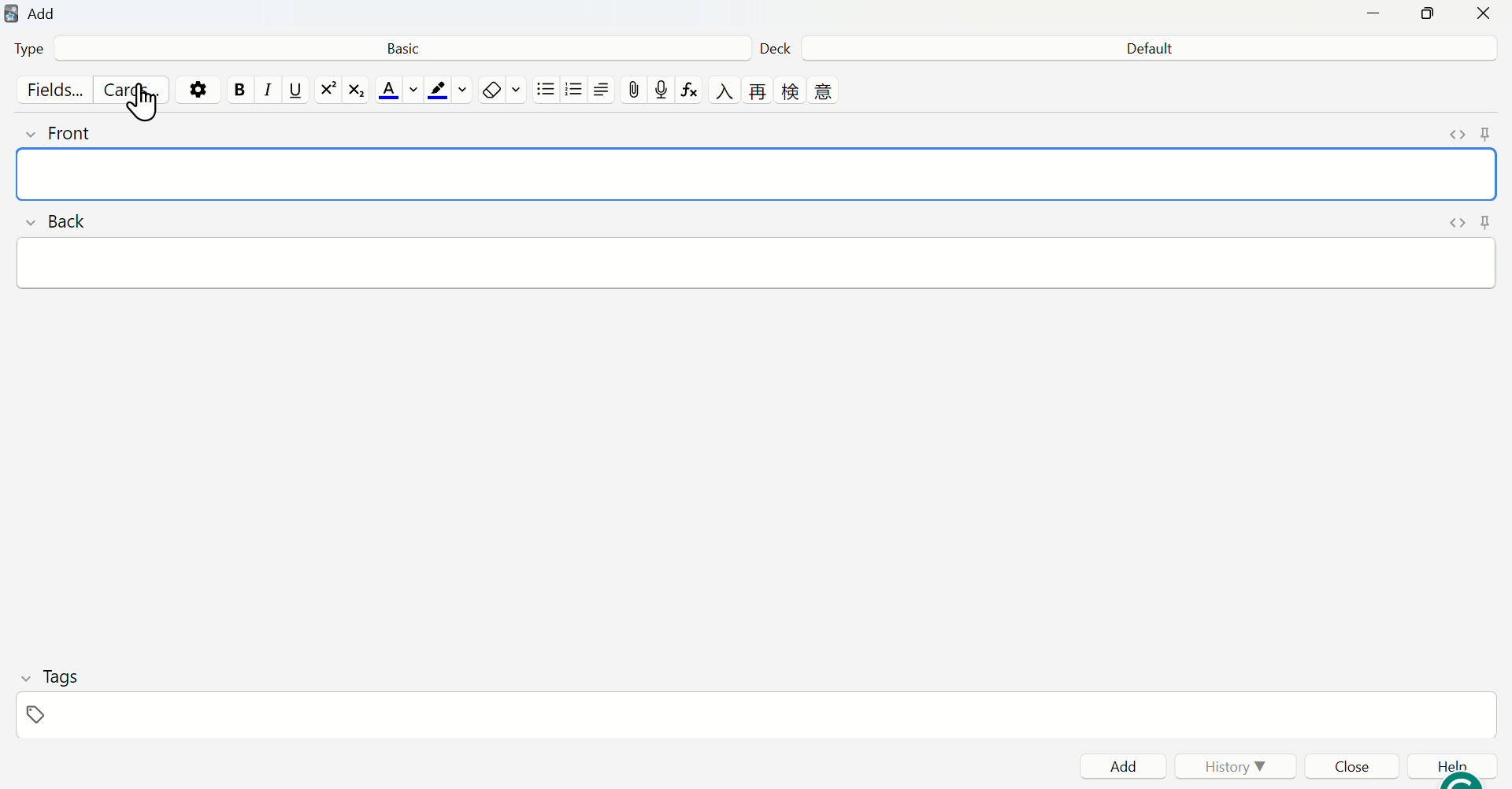 This screenshot has height=789, width=1512. I want to click on Maximize, so click(1424, 15).